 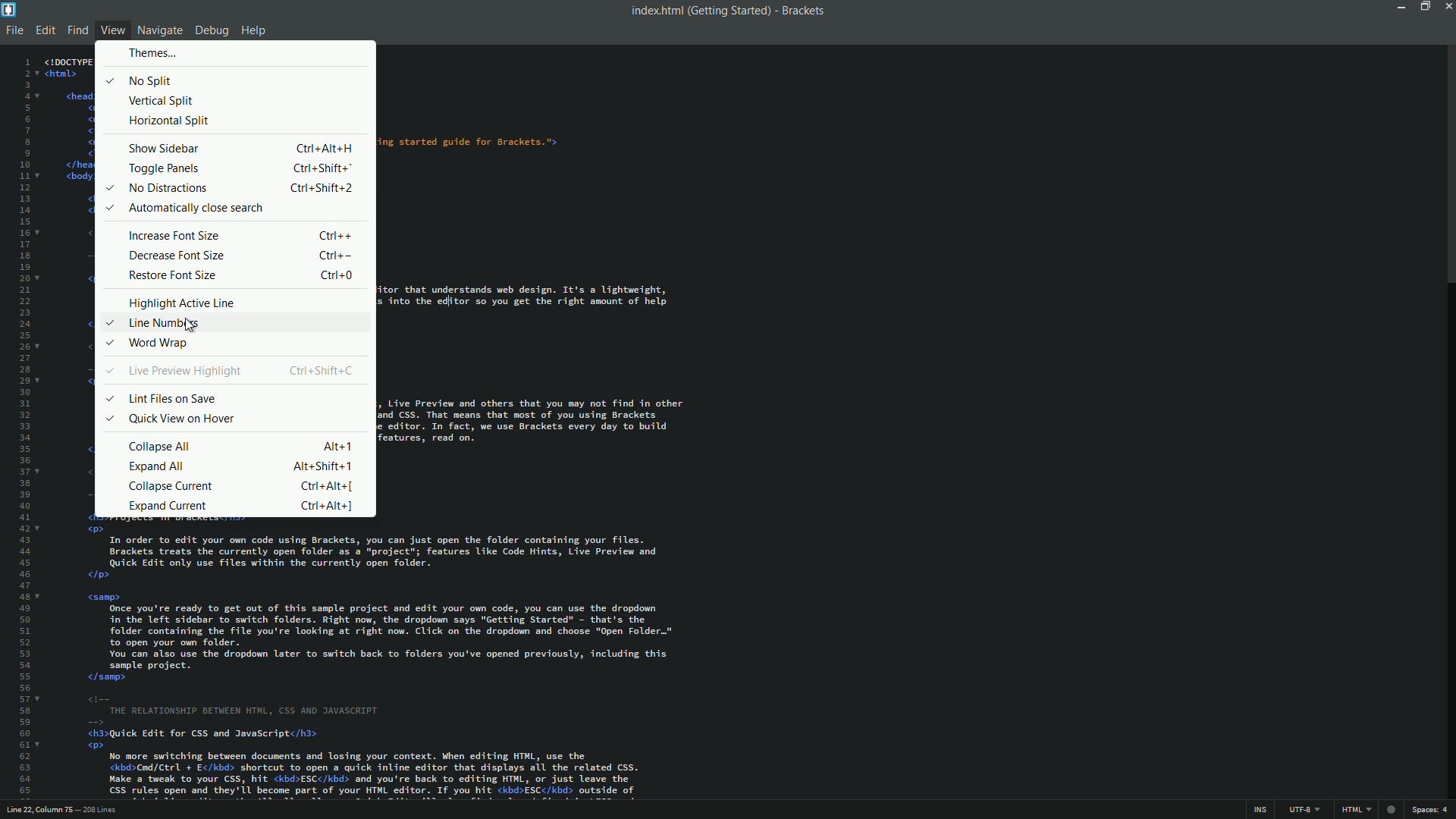 What do you see at coordinates (242, 505) in the screenshot?
I see `Expand Current Ctrl+Alt+]` at bounding box center [242, 505].